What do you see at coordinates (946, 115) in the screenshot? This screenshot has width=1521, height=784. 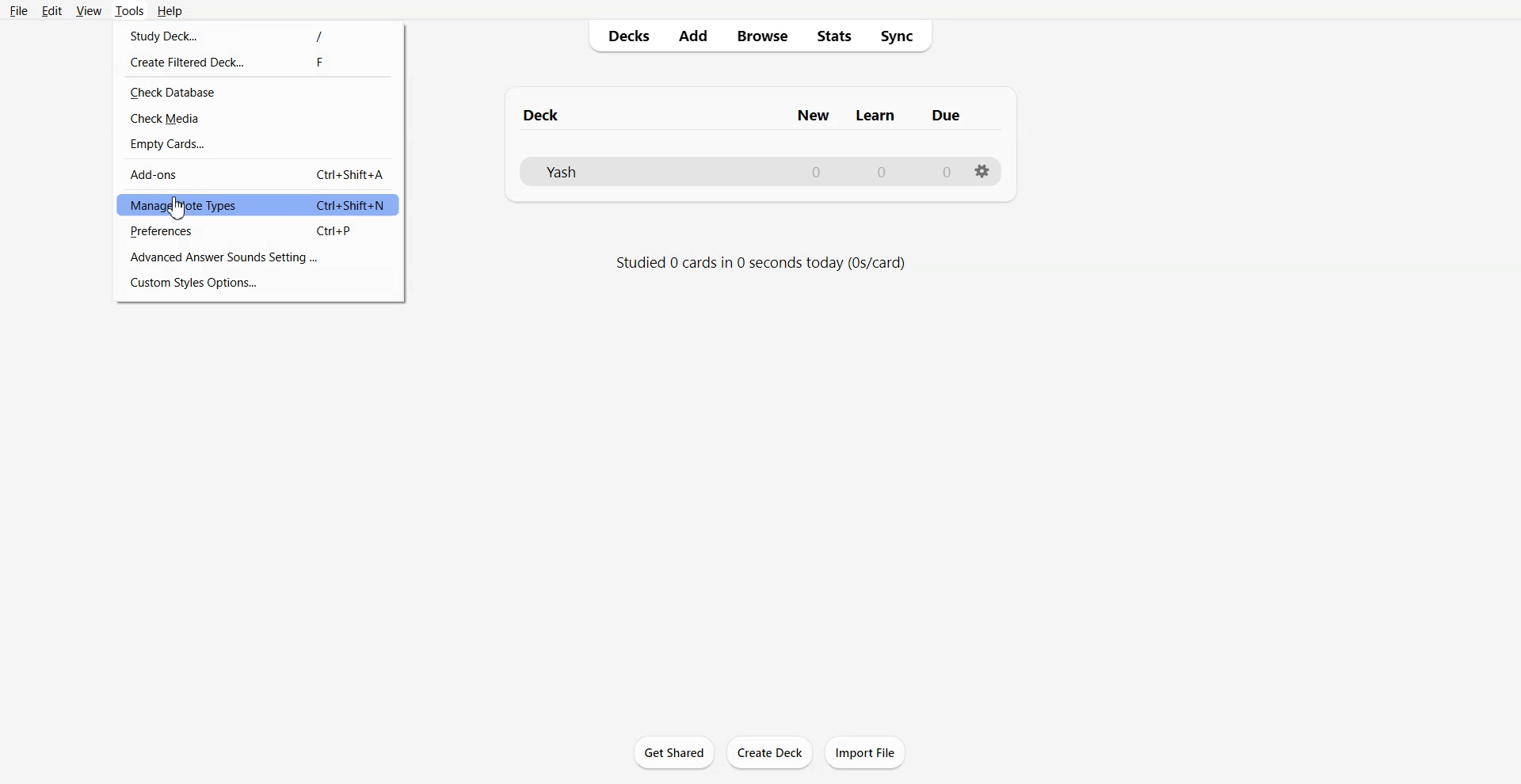 I see `Column name` at bounding box center [946, 115].